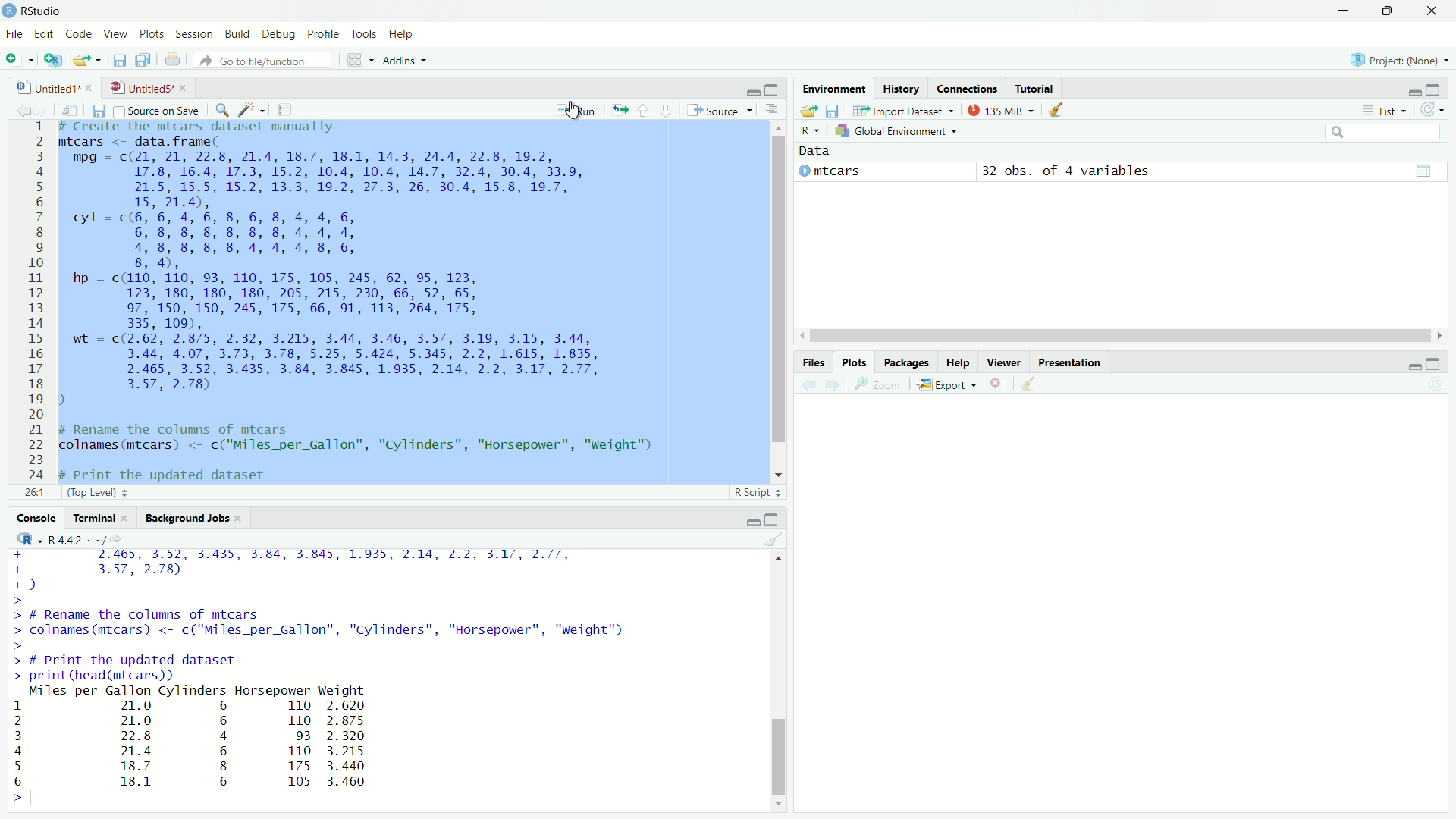  What do you see at coordinates (262, 61) in the screenshot?
I see `b Go to file/function` at bounding box center [262, 61].